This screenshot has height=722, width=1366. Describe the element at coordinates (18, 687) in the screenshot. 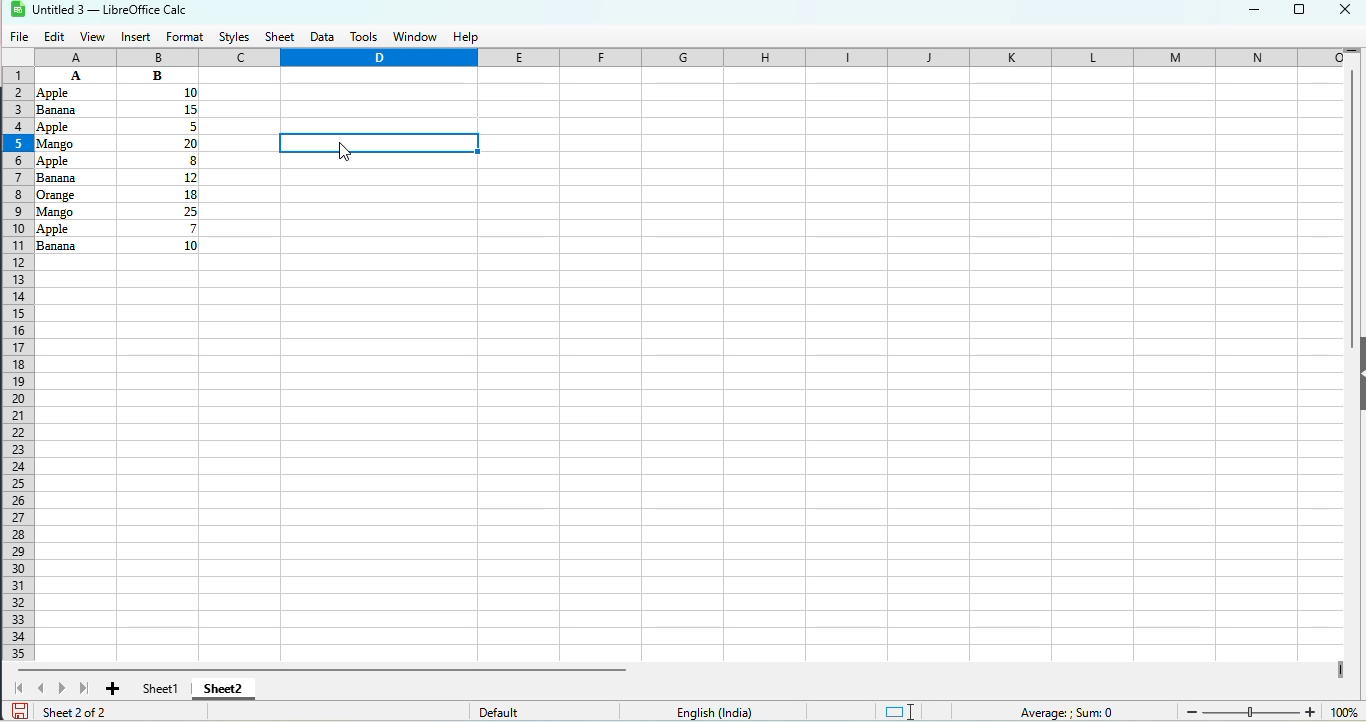

I see `scroll to first sheet` at that location.